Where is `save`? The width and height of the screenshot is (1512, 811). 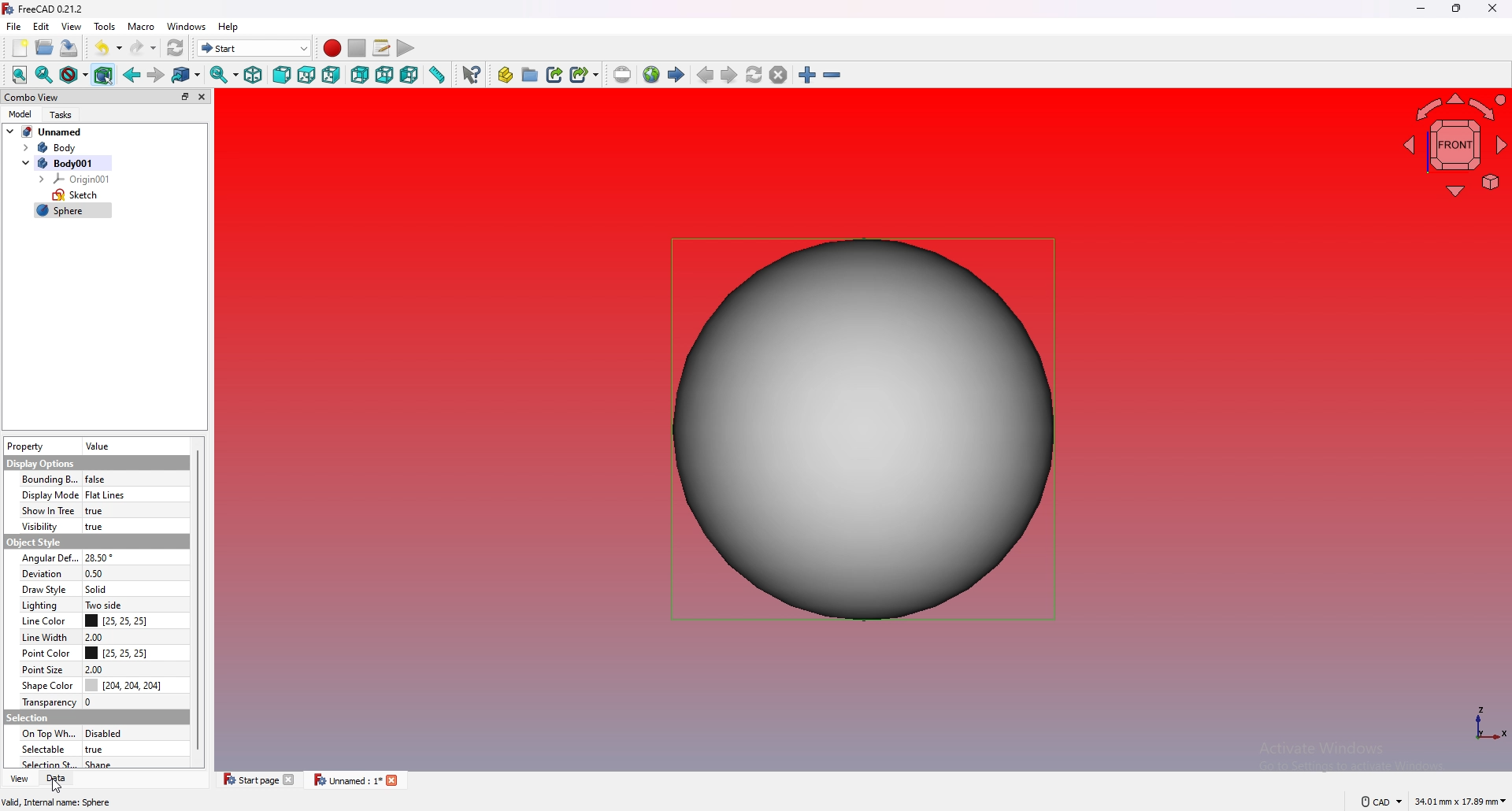 save is located at coordinates (69, 48).